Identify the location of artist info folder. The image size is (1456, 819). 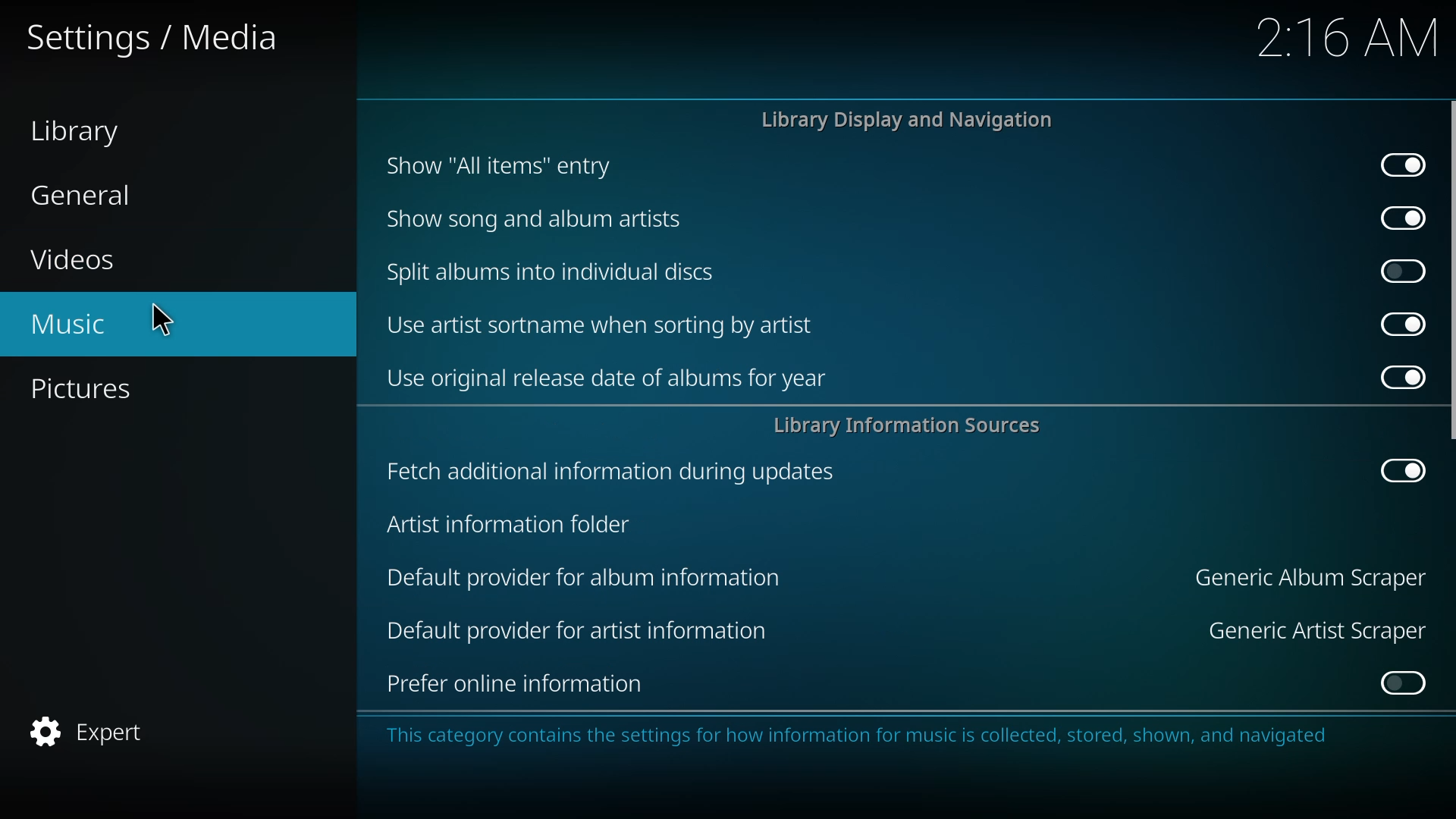
(508, 526).